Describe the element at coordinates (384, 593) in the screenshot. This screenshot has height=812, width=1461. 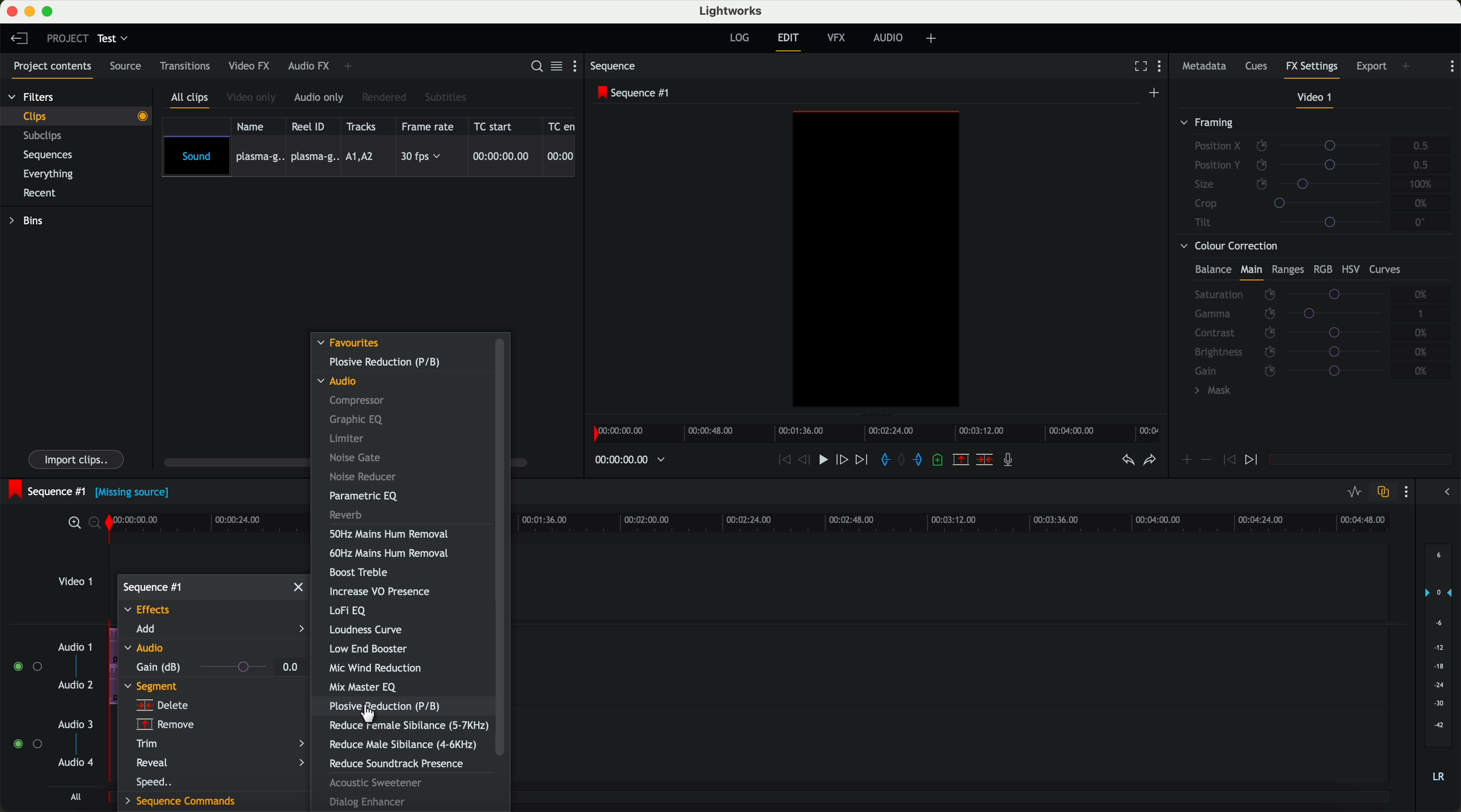
I see `increase VO presence` at that location.